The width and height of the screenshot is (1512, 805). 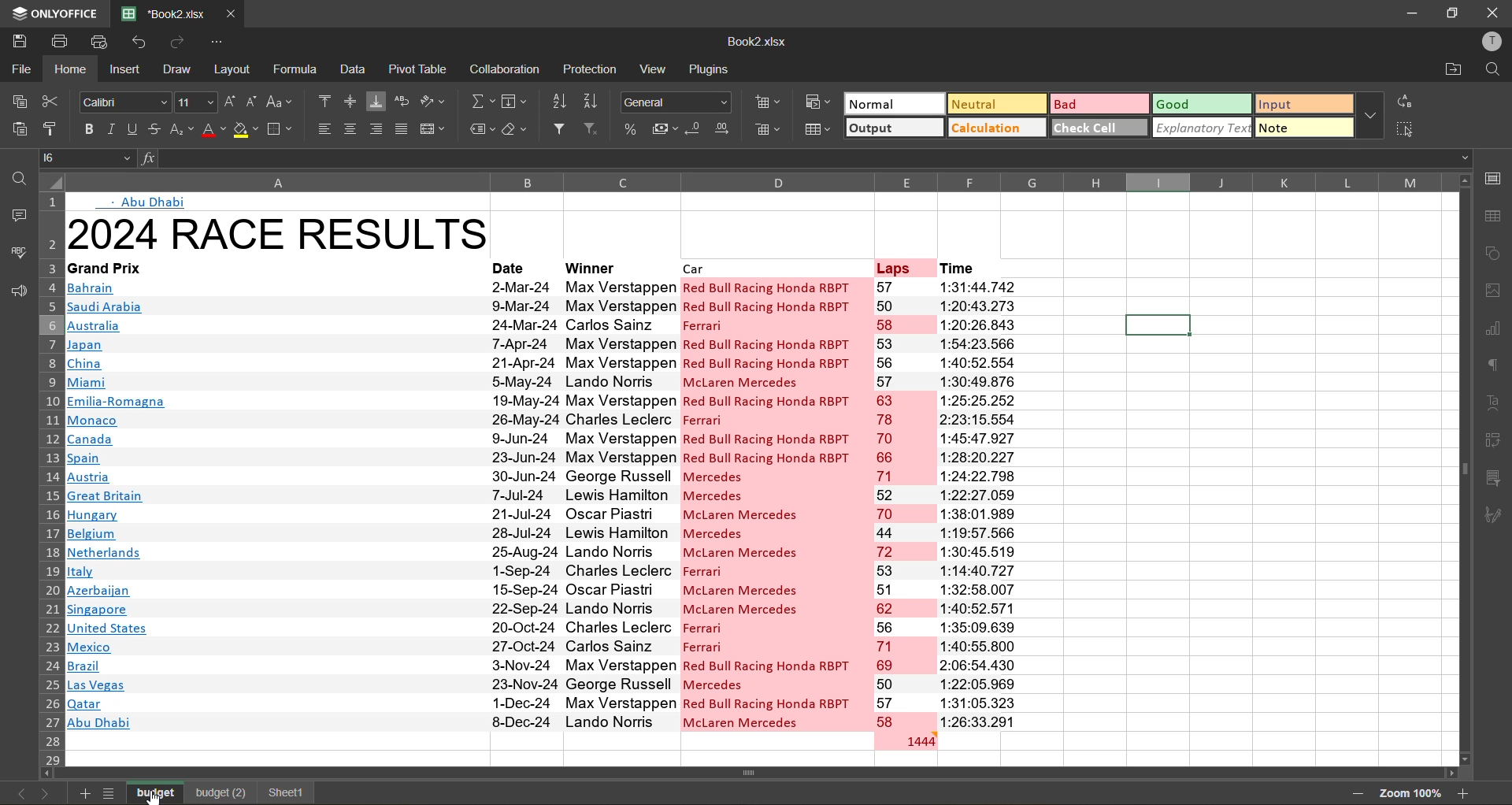 I want to click on clear filter, so click(x=597, y=131).